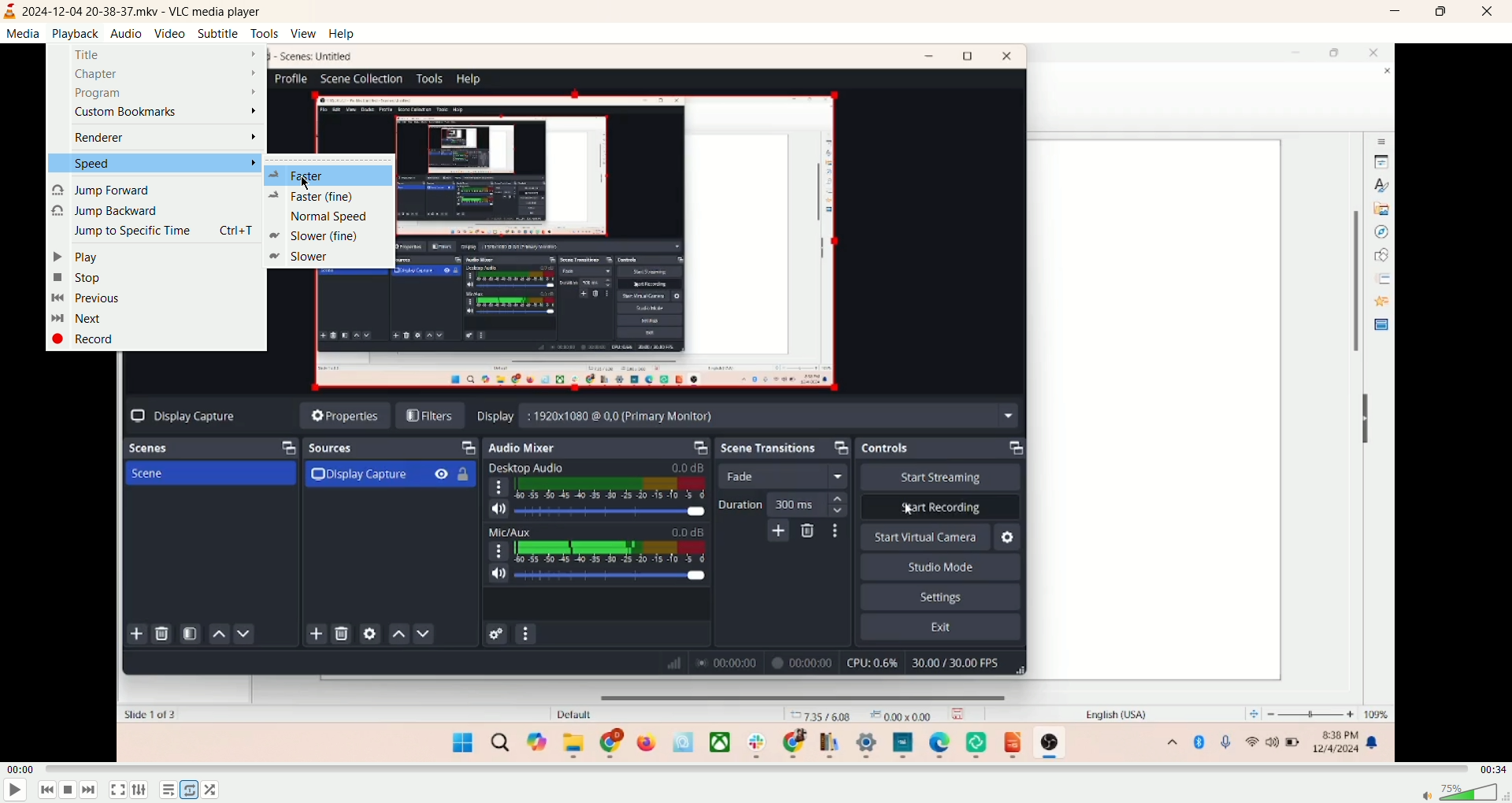  Describe the element at coordinates (150, 164) in the screenshot. I see `speed` at that location.